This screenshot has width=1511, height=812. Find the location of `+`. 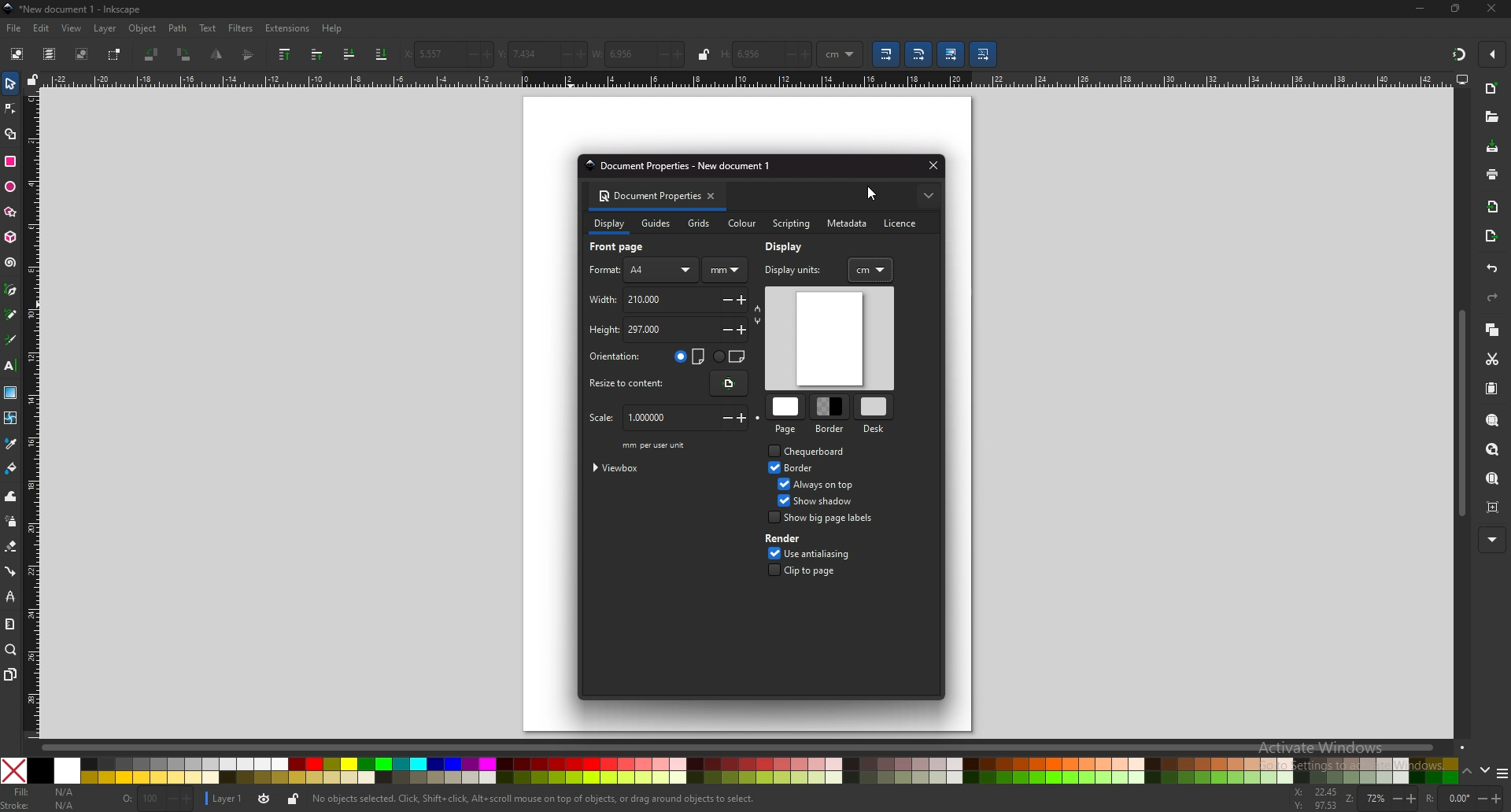

+ is located at coordinates (486, 55).